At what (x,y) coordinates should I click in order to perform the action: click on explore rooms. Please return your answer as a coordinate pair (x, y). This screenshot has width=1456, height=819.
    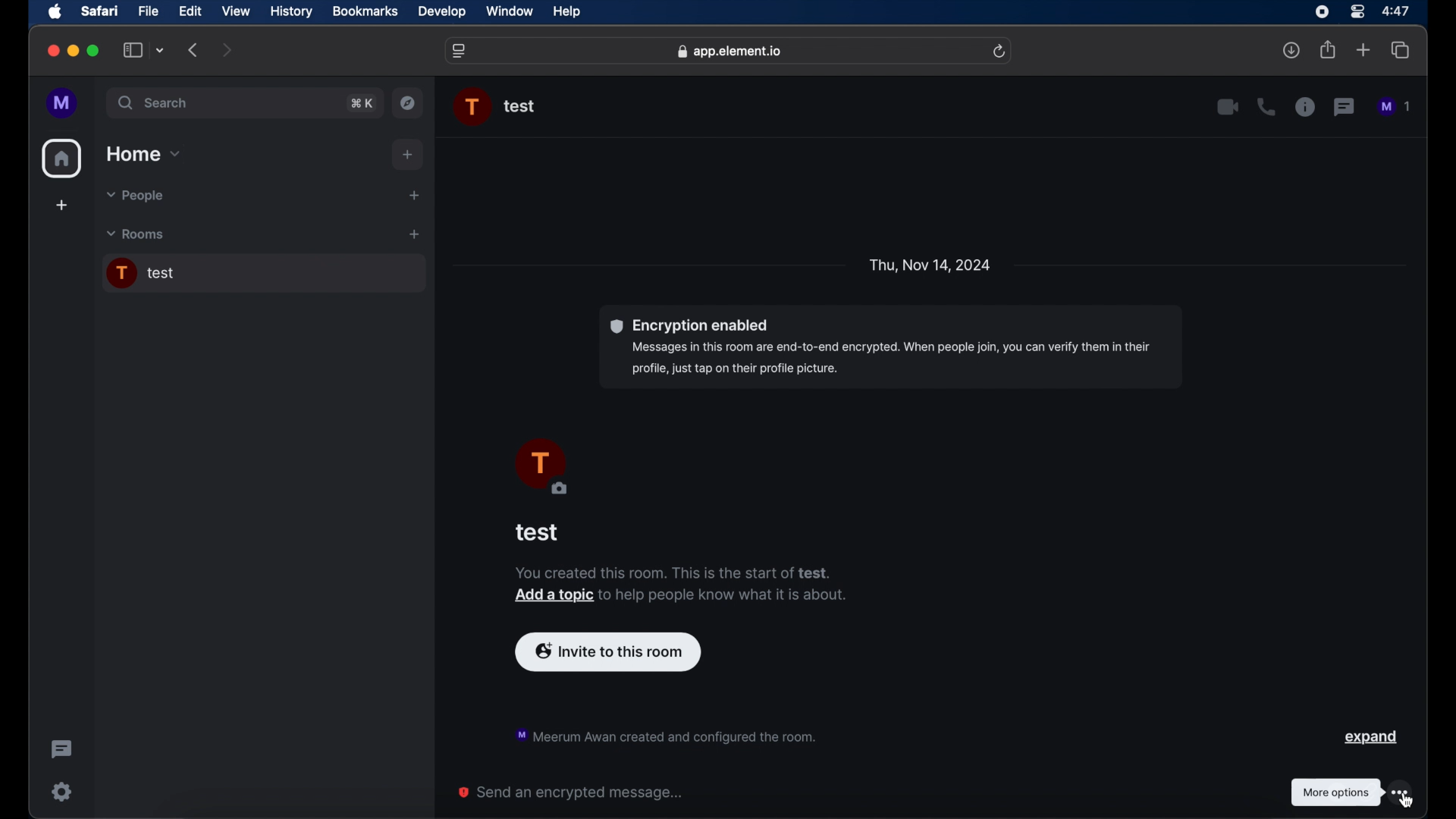
    Looking at the image, I should click on (409, 102).